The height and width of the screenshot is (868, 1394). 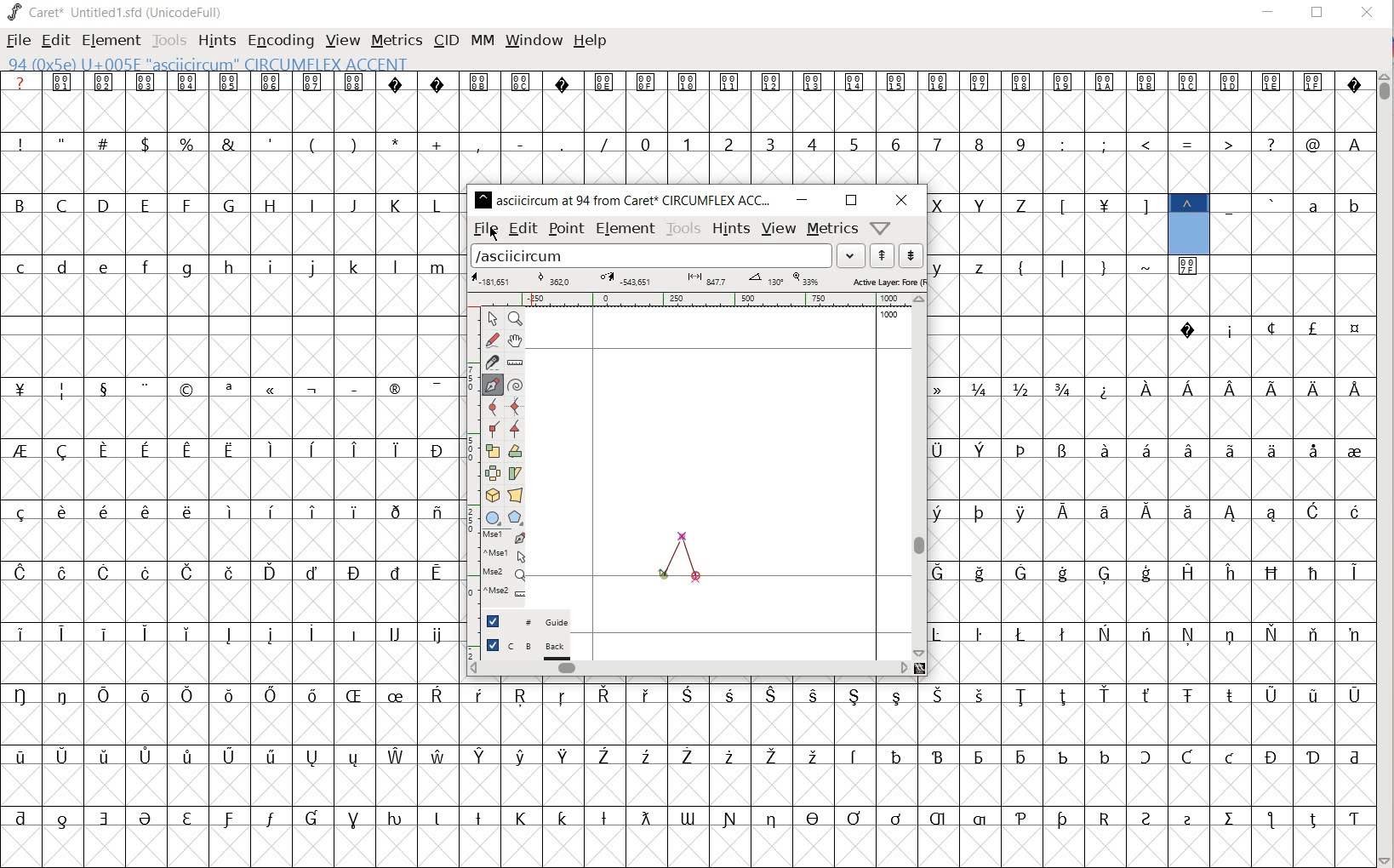 What do you see at coordinates (492, 340) in the screenshot?
I see `draw a freehand curve` at bounding box center [492, 340].